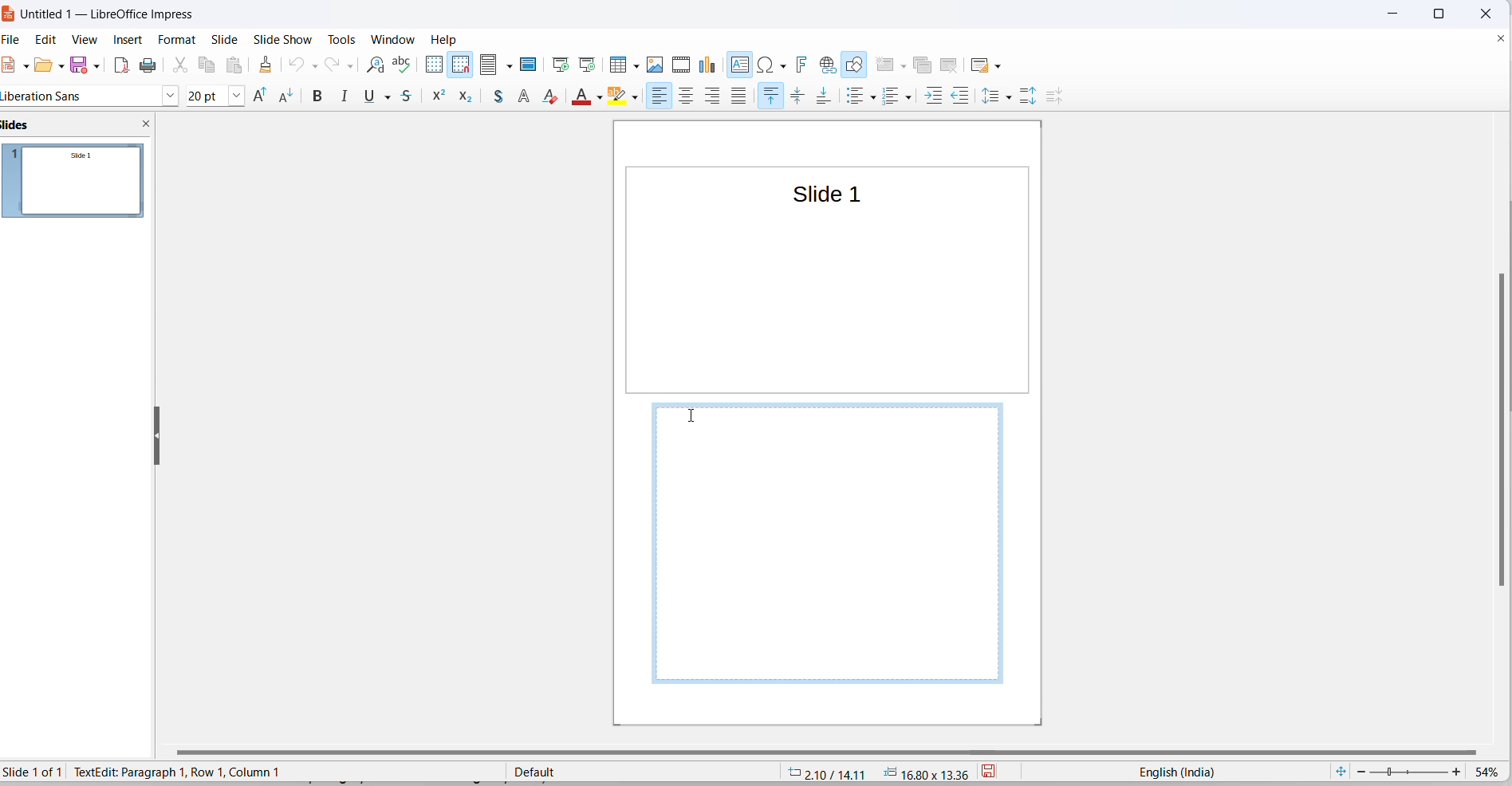 The image size is (1512, 786). I want to click on start from current slide, so click(586, 64).